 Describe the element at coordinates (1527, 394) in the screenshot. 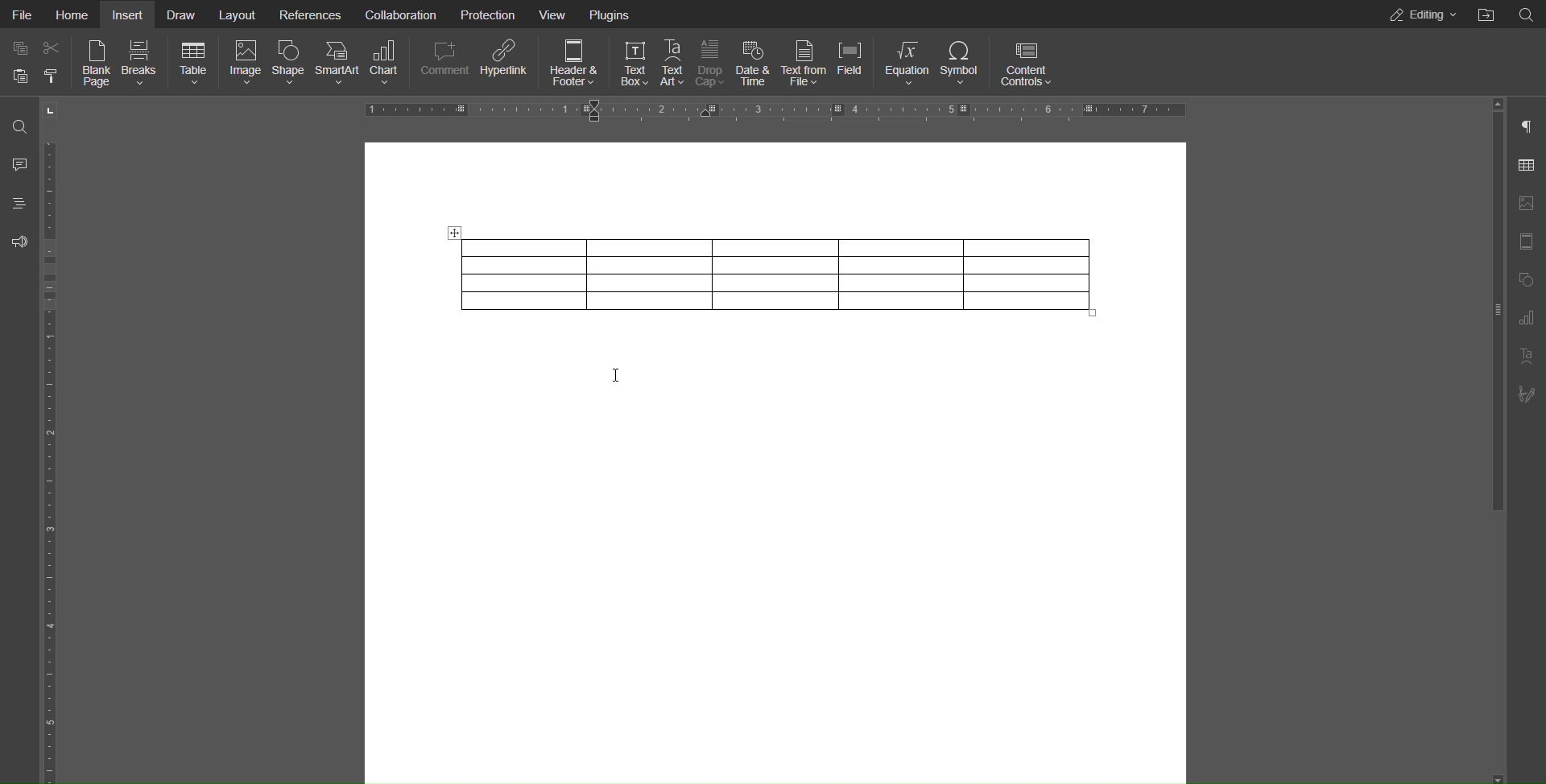

I see `Signature` at that location.